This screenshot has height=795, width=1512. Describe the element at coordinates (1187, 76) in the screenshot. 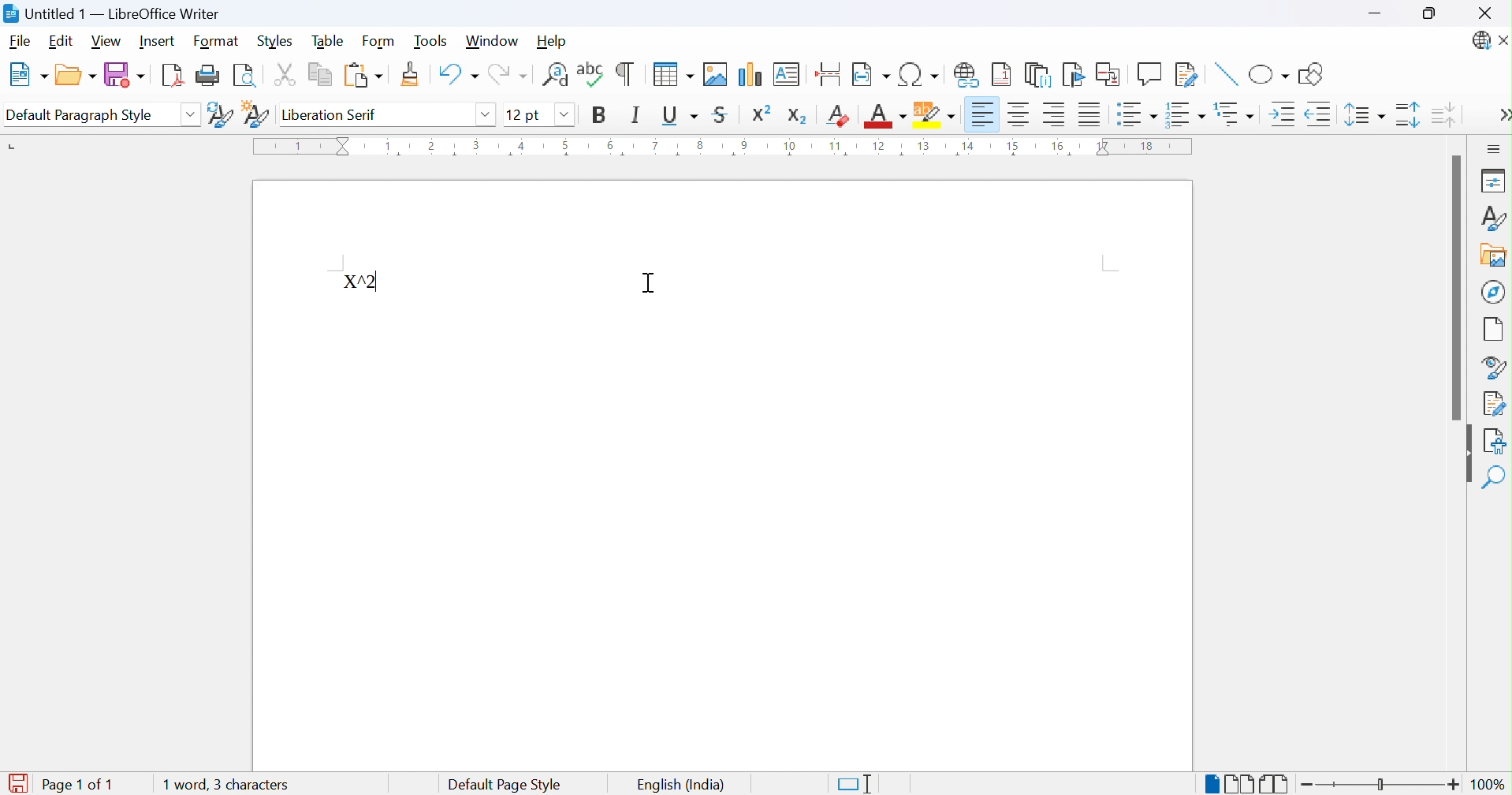

I see `Show track changes functions` at that location.